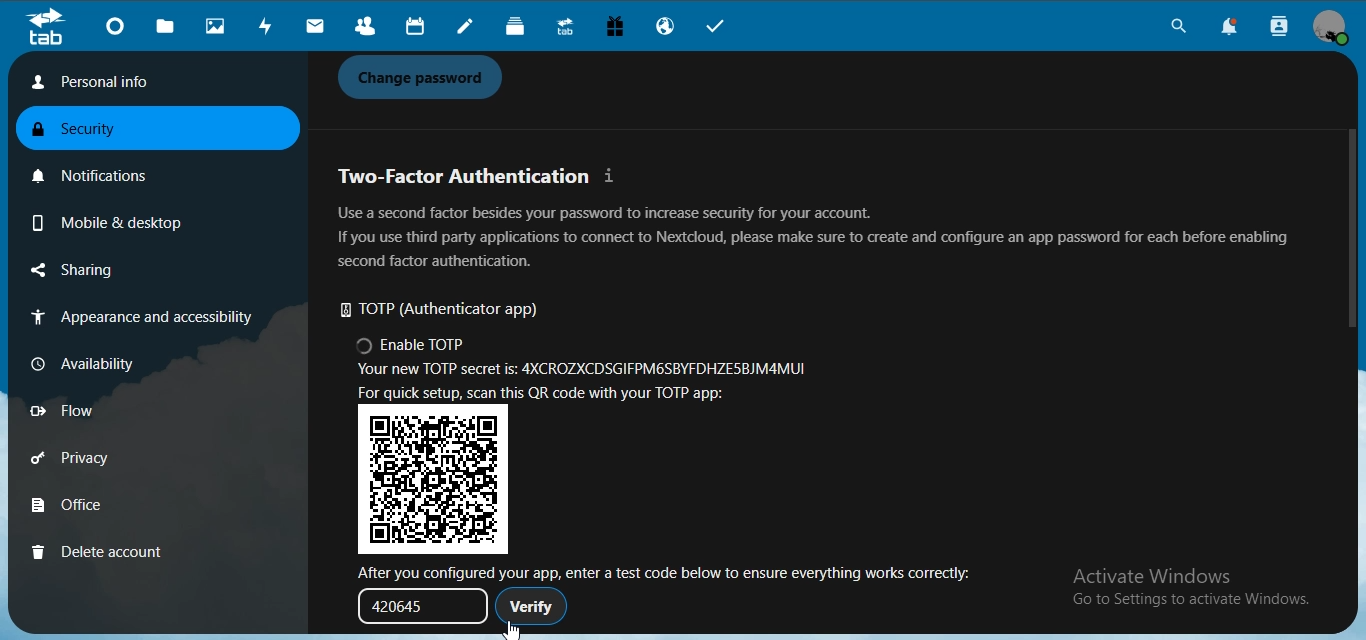  Describe the element at coordinates (365, 27) in the screenshot. I see `contact` at that location.